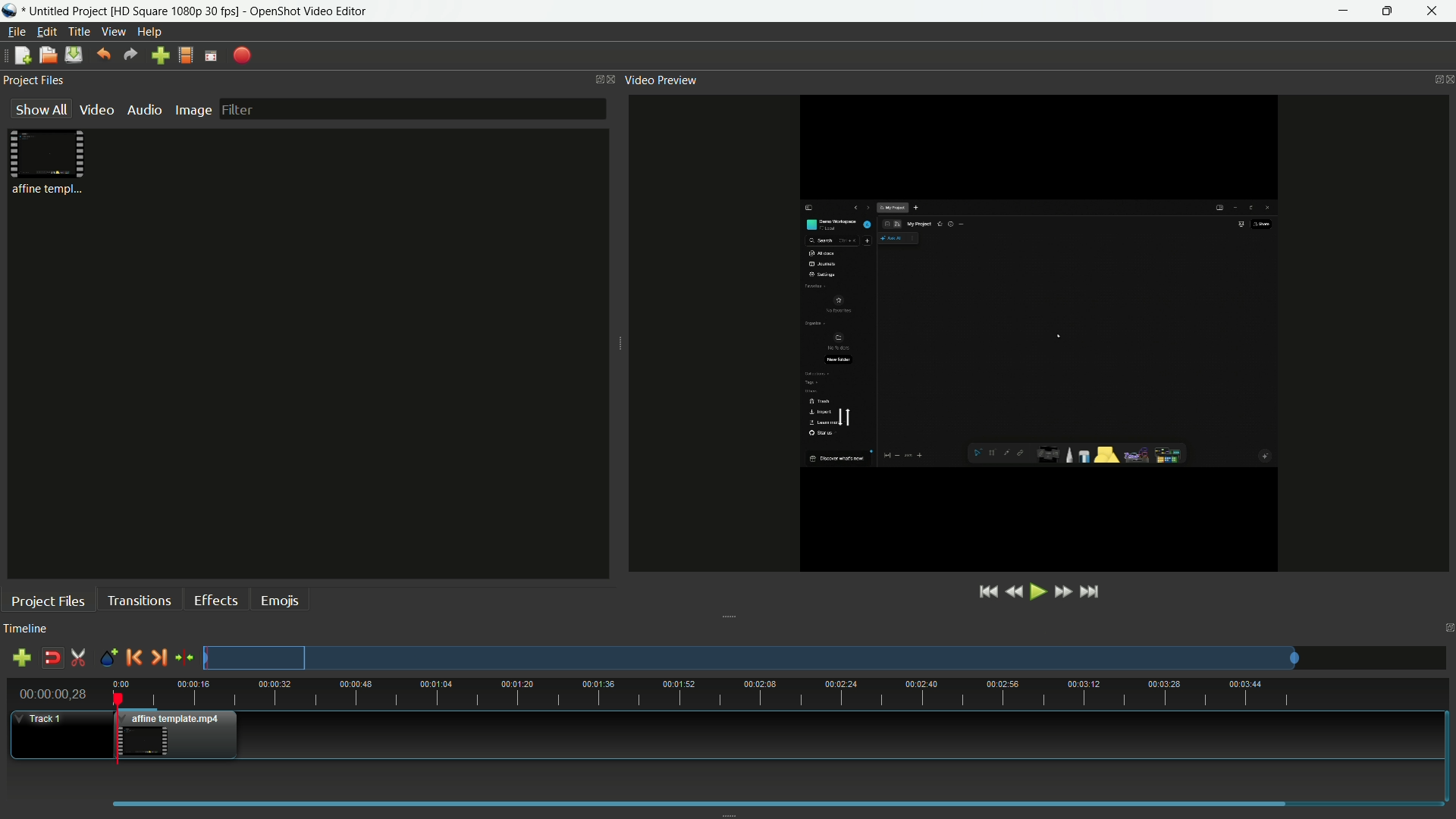  I want to click on app icon, so click(11, 12).